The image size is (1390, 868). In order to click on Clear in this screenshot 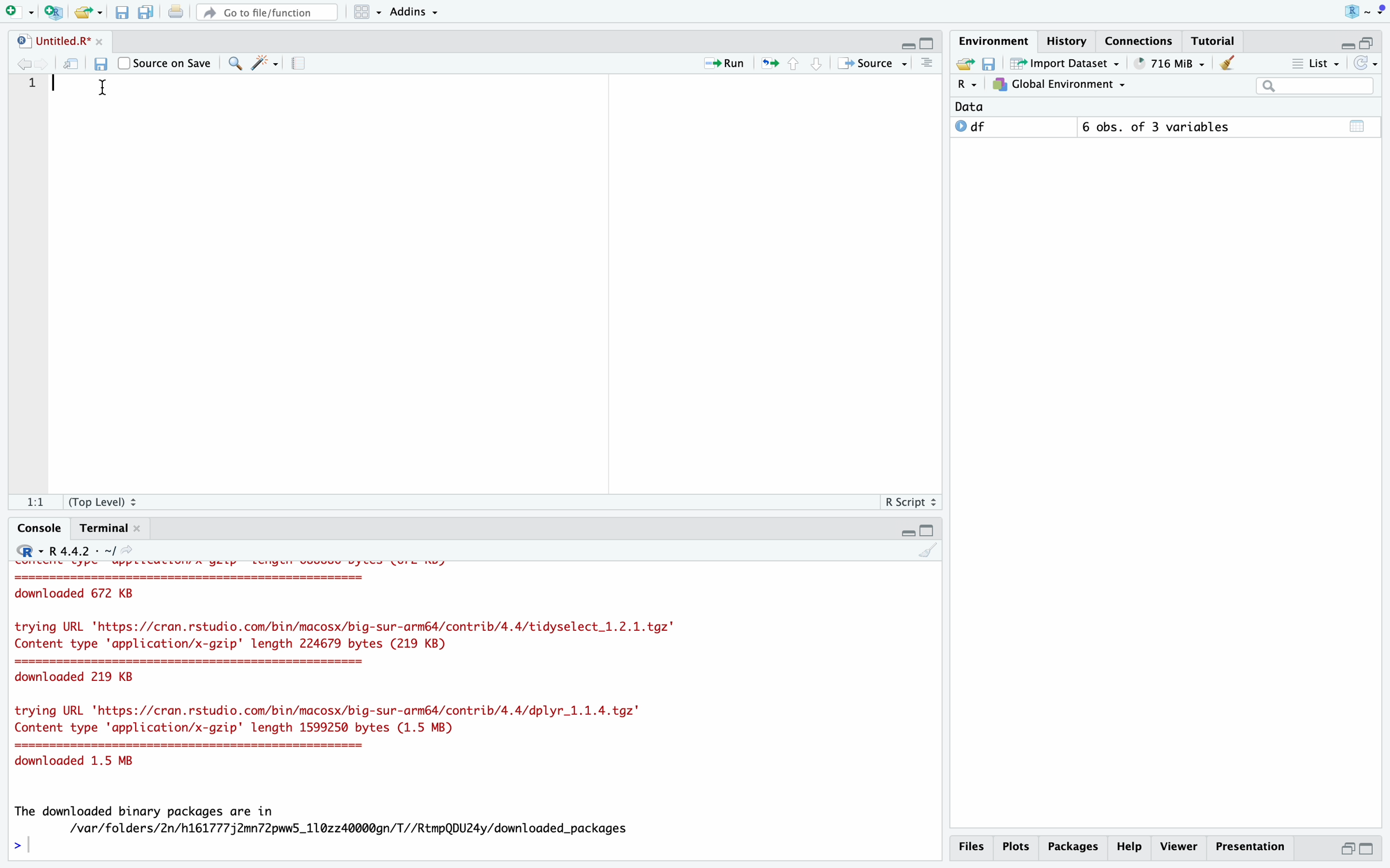, I will do `click(1229, 64)`.